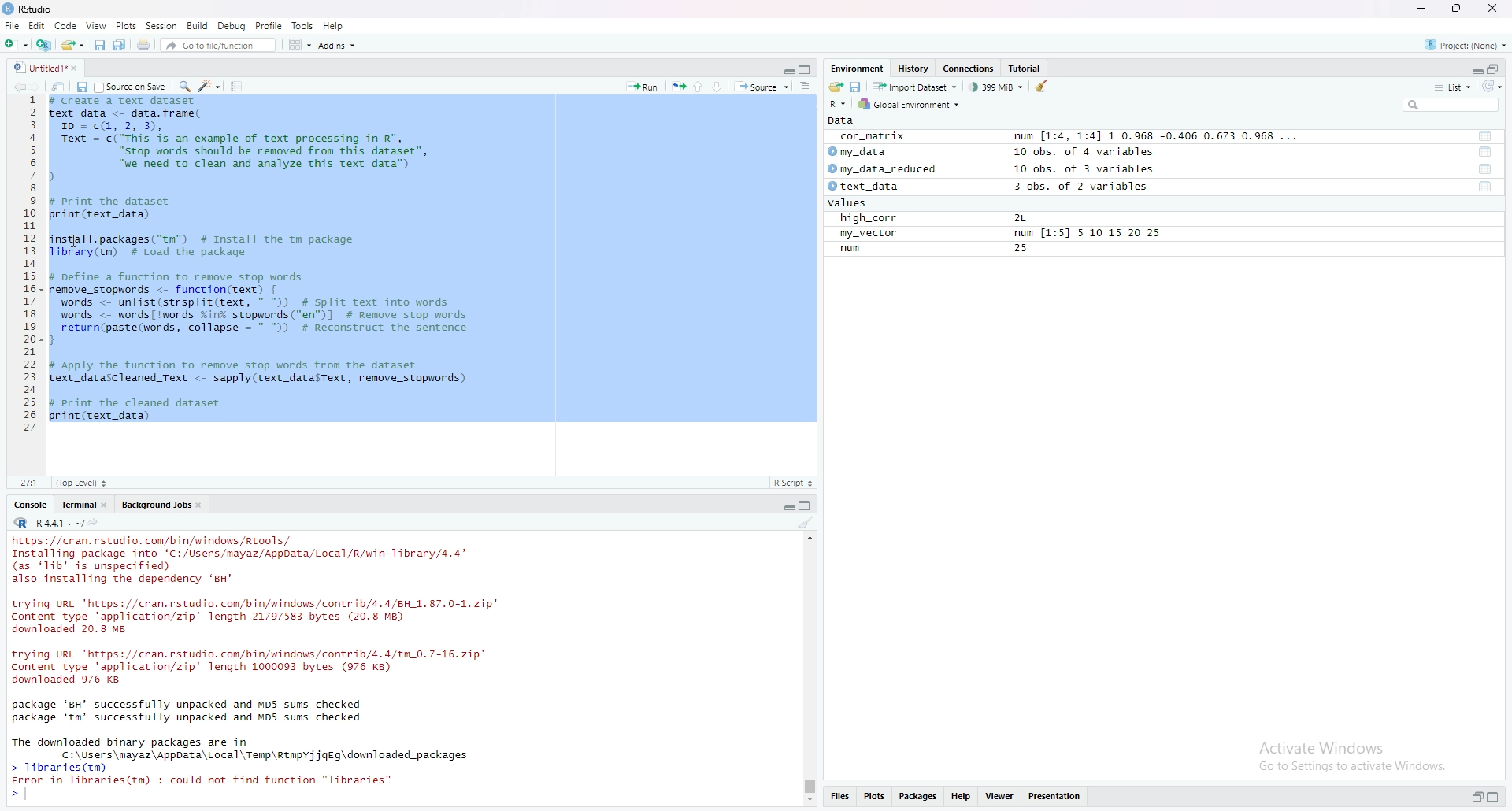 Image resolution: width=1512 pixels, height=811 pixels. I want to click on source, so click(762, 87).